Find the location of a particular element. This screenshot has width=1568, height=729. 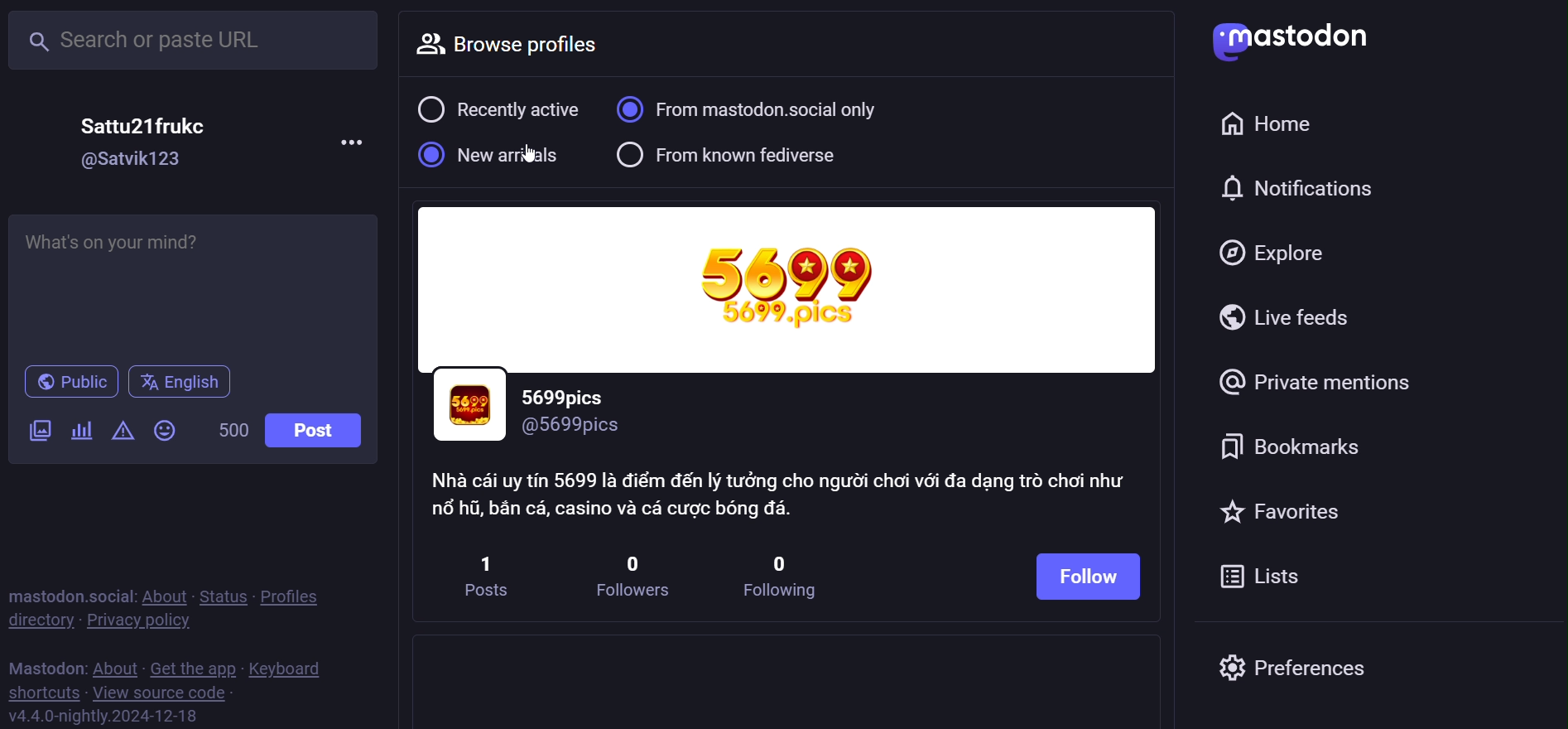

status is located at coordinates (219, 594).